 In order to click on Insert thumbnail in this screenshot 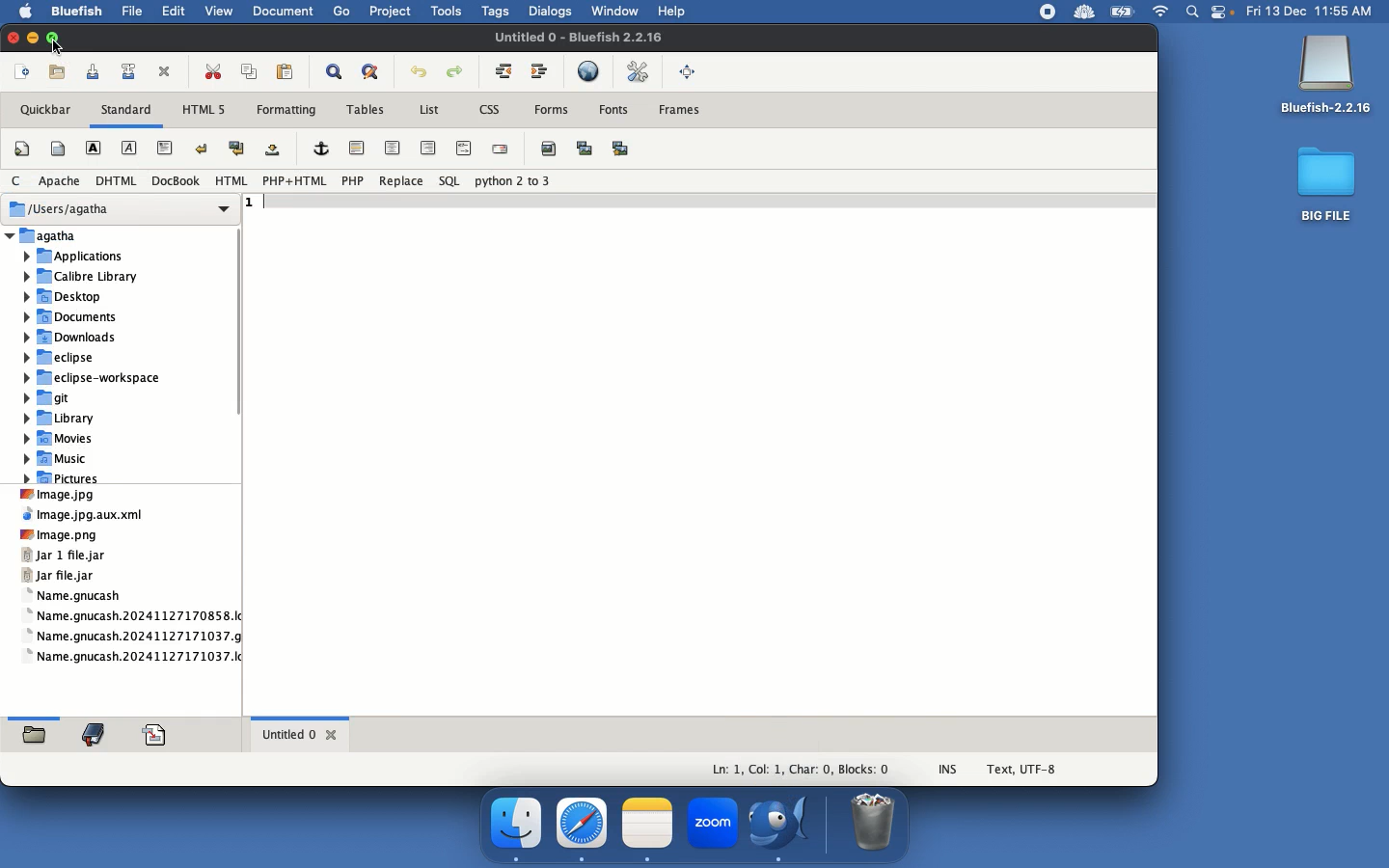, I will do `click(585, 148)`.